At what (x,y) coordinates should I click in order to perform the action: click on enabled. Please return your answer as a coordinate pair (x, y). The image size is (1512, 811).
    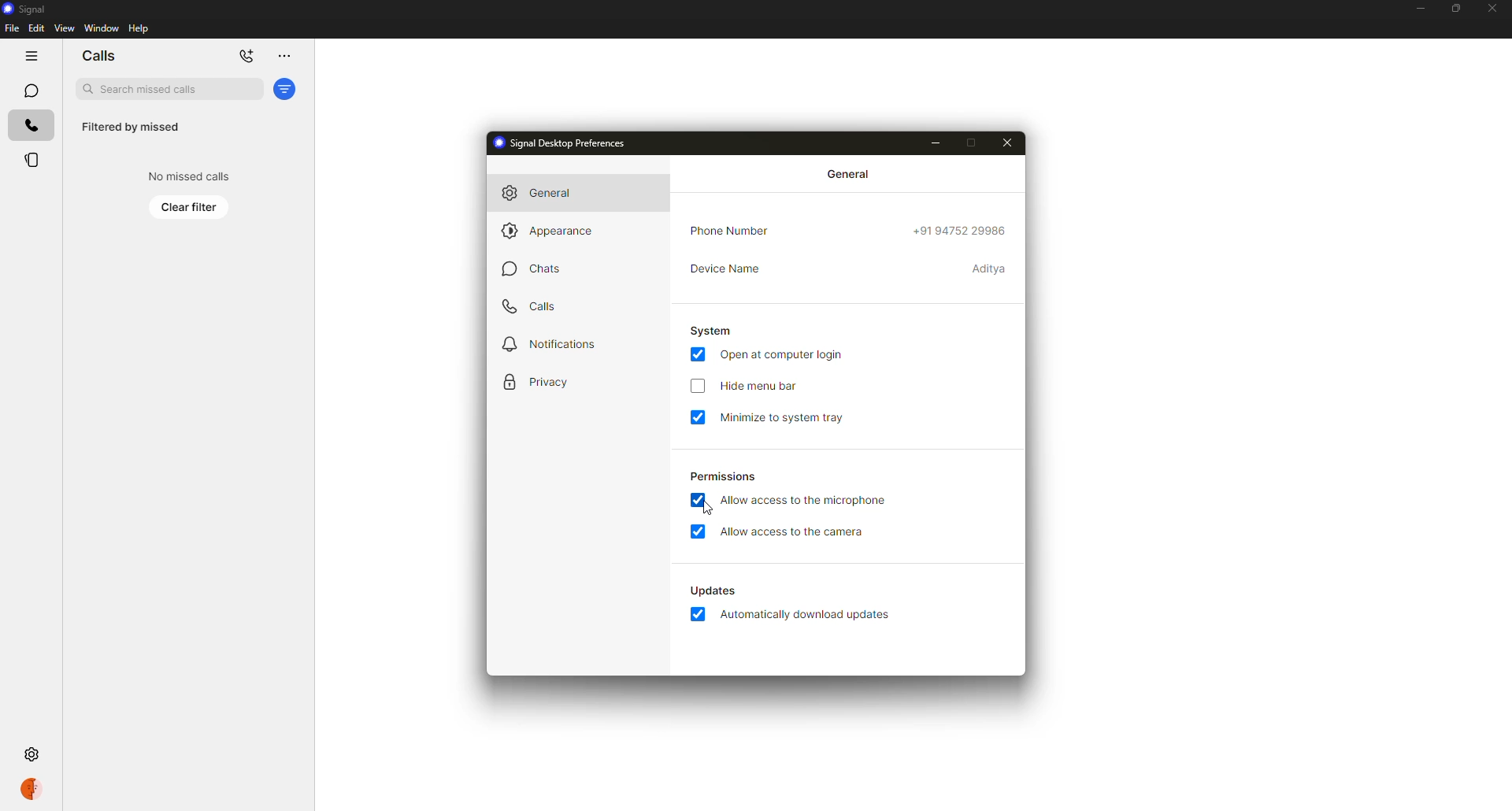
    Looking at the image, I should click on (698, 354).